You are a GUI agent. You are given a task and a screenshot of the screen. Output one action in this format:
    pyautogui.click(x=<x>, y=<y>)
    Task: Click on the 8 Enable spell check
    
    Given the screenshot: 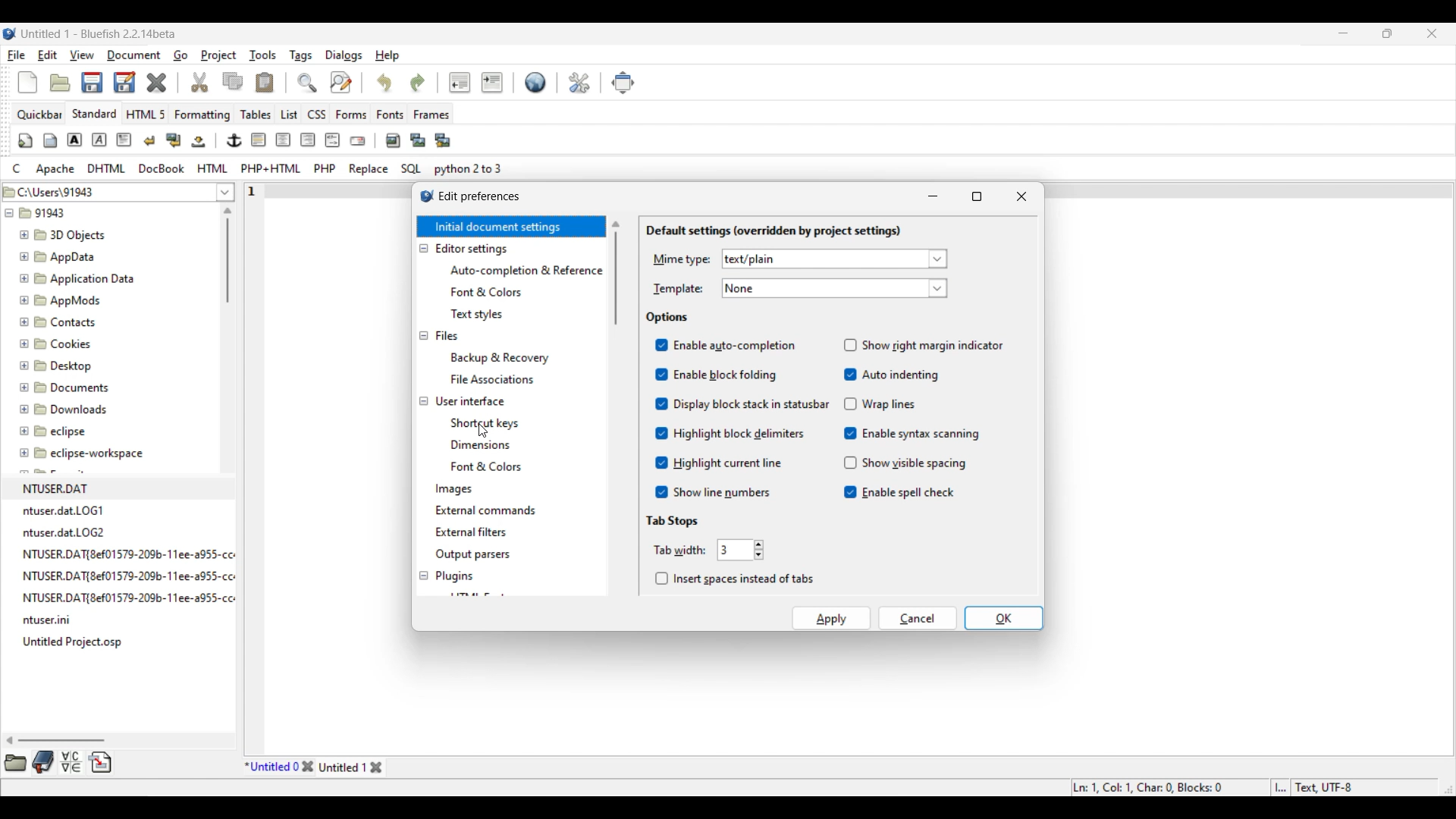 What is the action you would take?
    pyautogui.click(x=899, y=493)
    